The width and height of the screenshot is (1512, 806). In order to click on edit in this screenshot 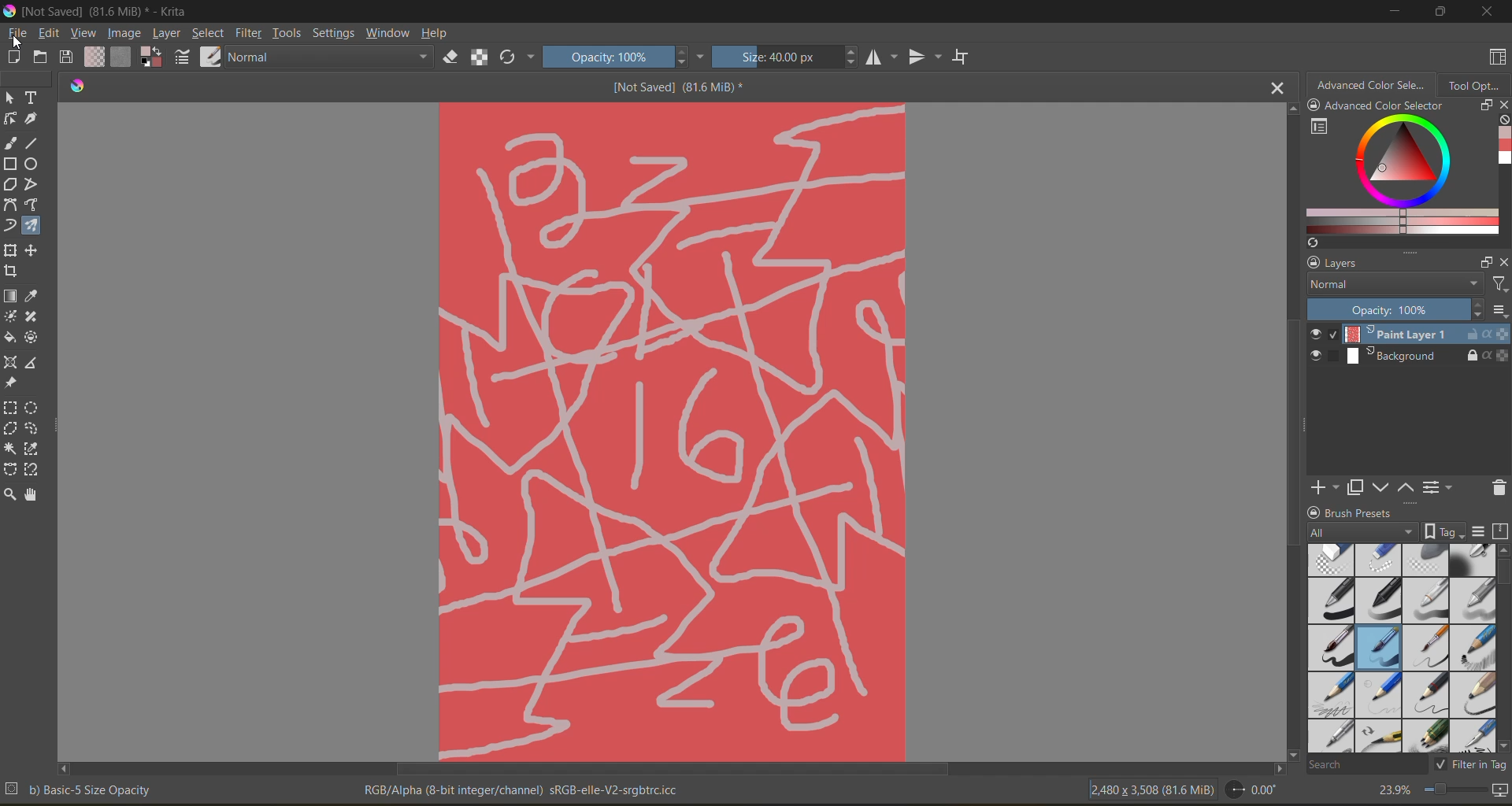, I will do `click(50, 35)`.